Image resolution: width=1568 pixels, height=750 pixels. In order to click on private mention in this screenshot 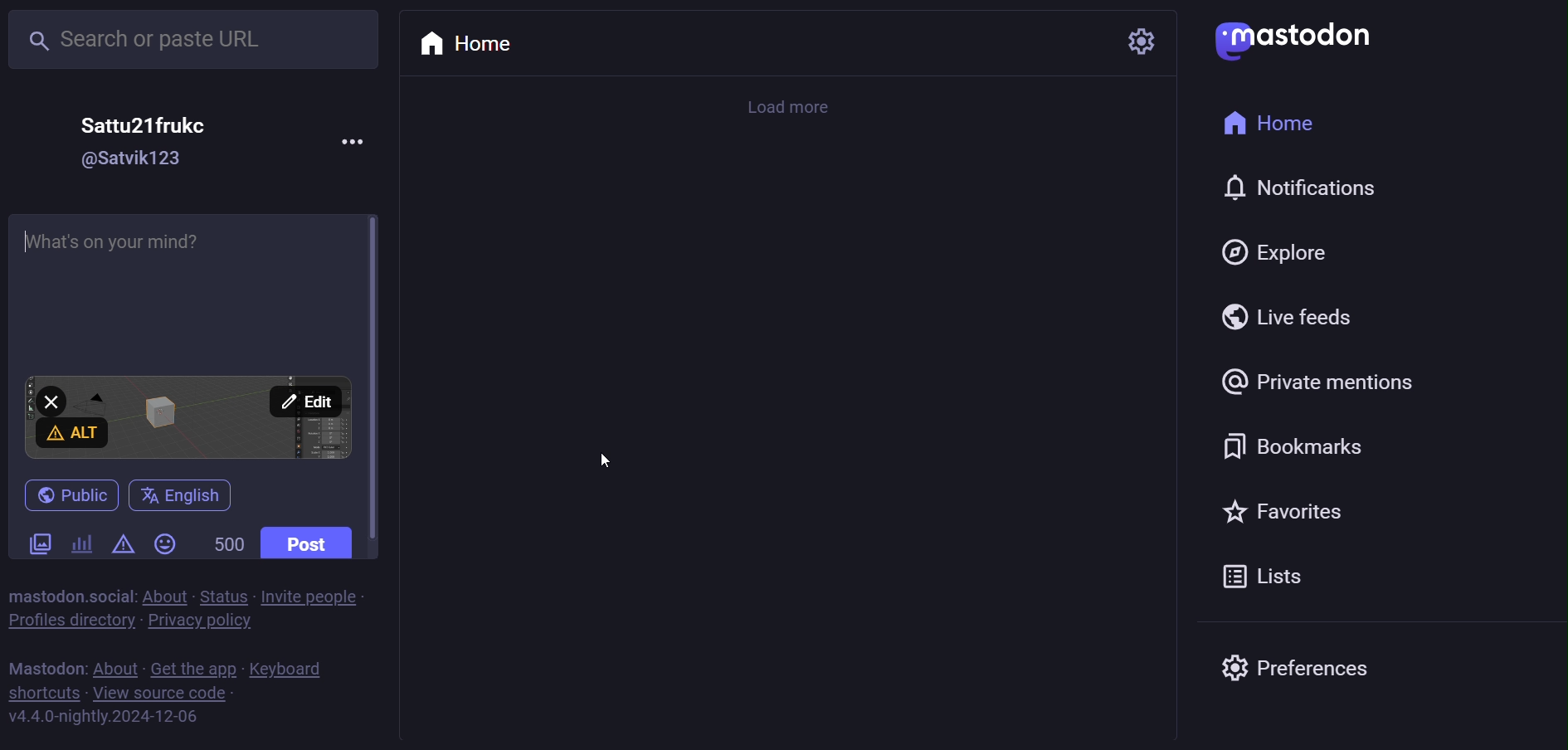, I will do `click(1319, 383)`.